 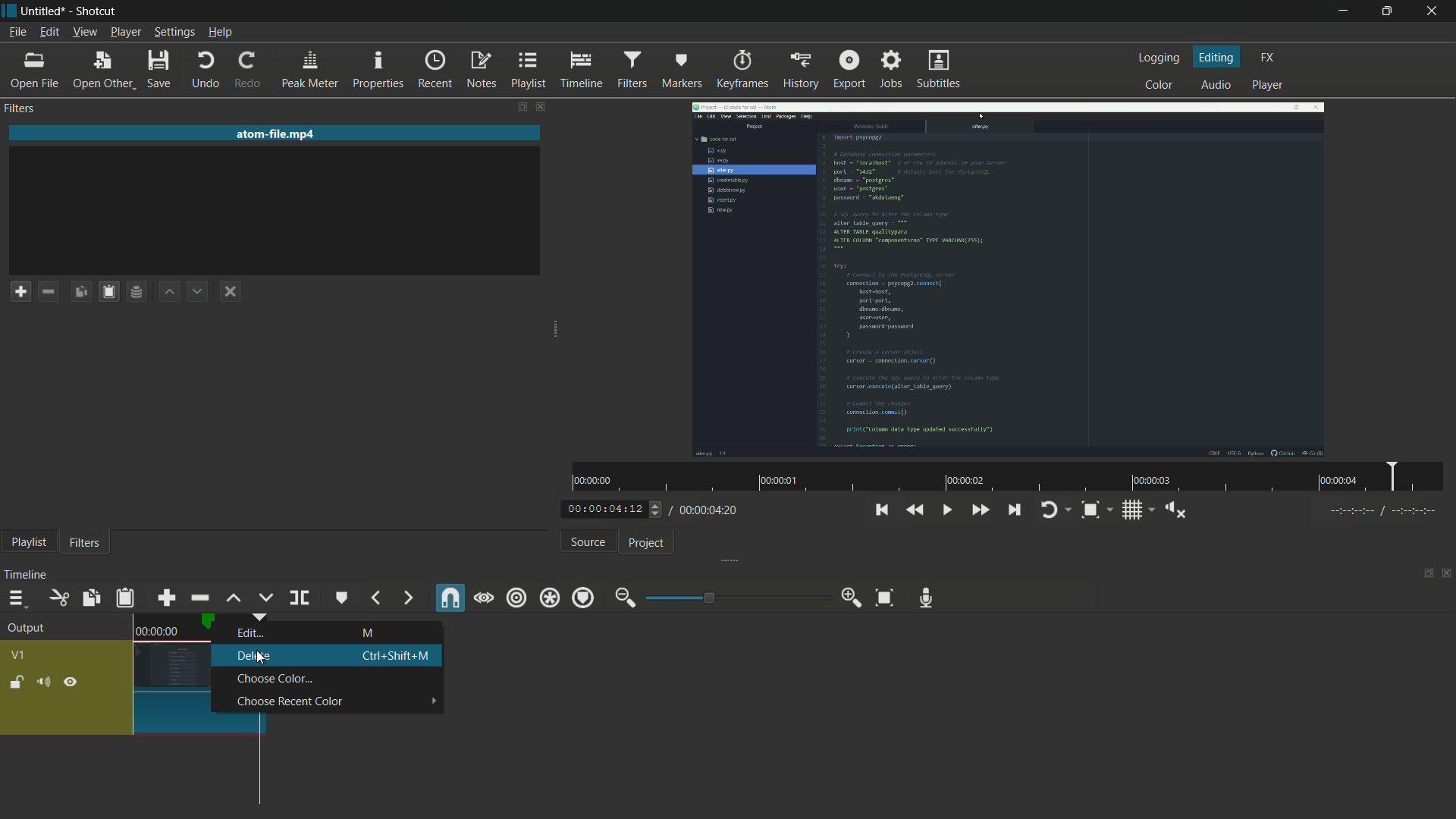 I want to click on player menu, so click(x=126, y=33).